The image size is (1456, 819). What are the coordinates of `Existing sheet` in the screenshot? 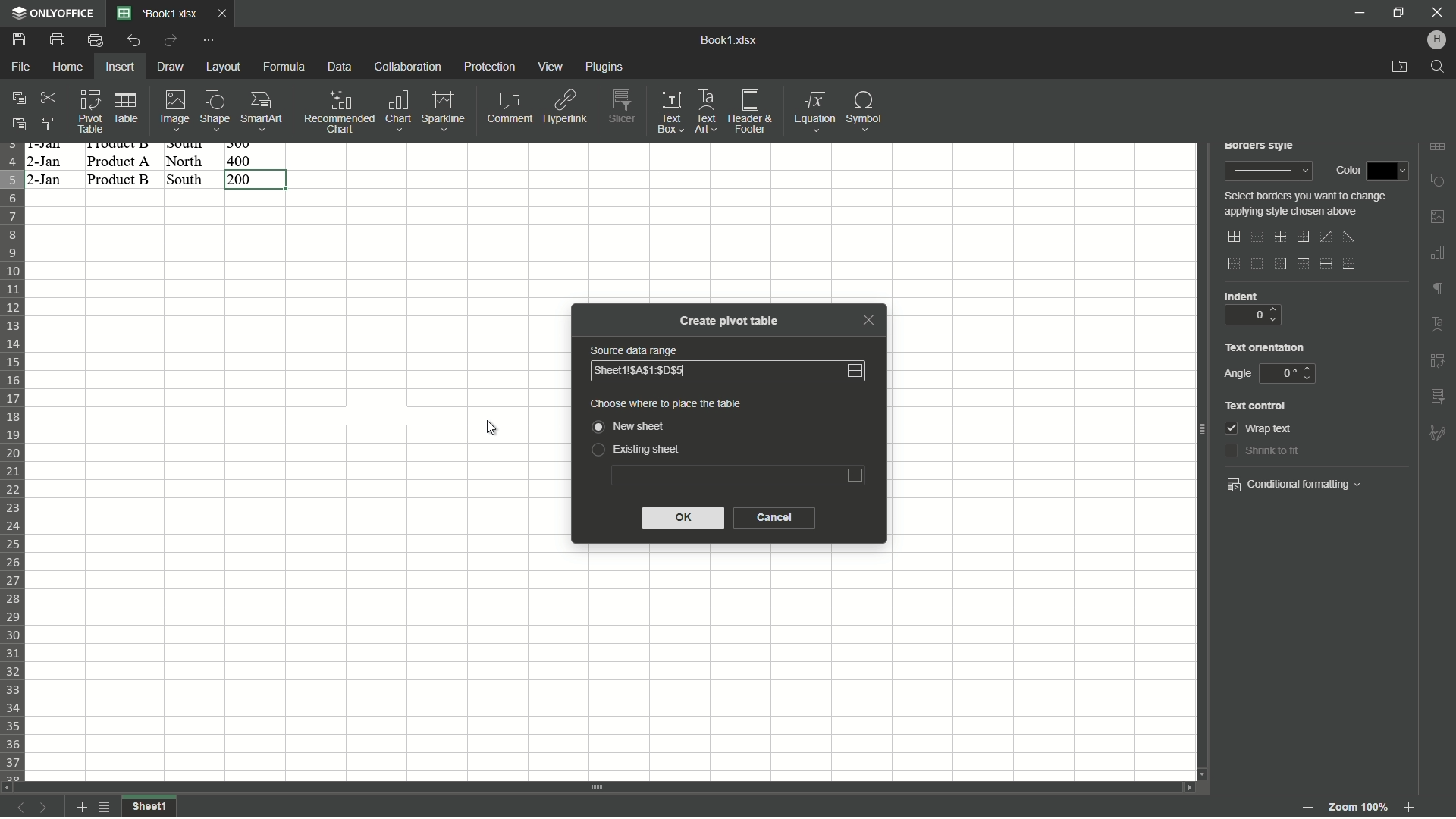 It's located at (639, 447).